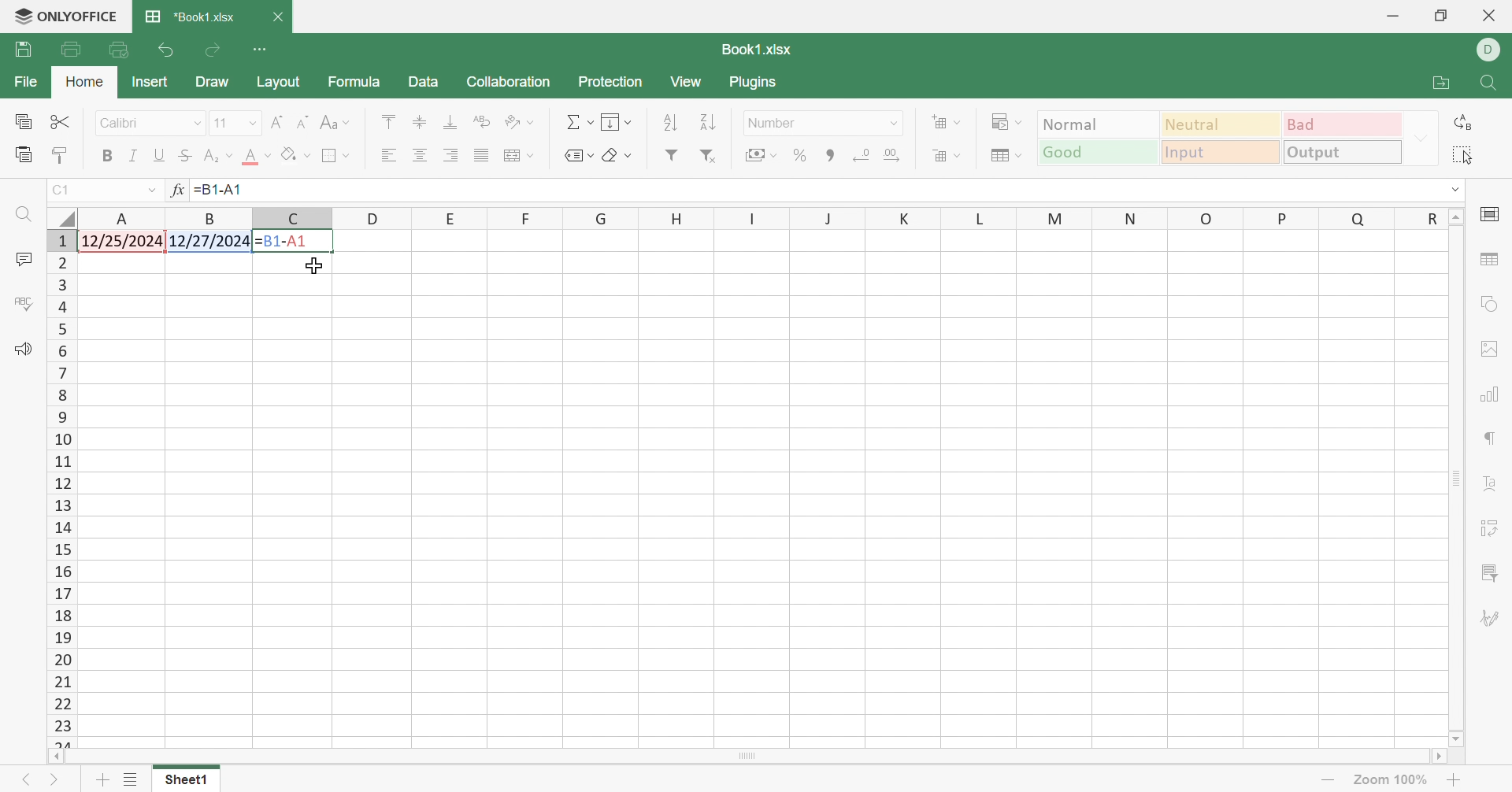 This screenshot has height=792, width=1512. What do you see at coordinates (335, 157) in the screenshot?
I see `Borders` at bounding box center [335, 157].